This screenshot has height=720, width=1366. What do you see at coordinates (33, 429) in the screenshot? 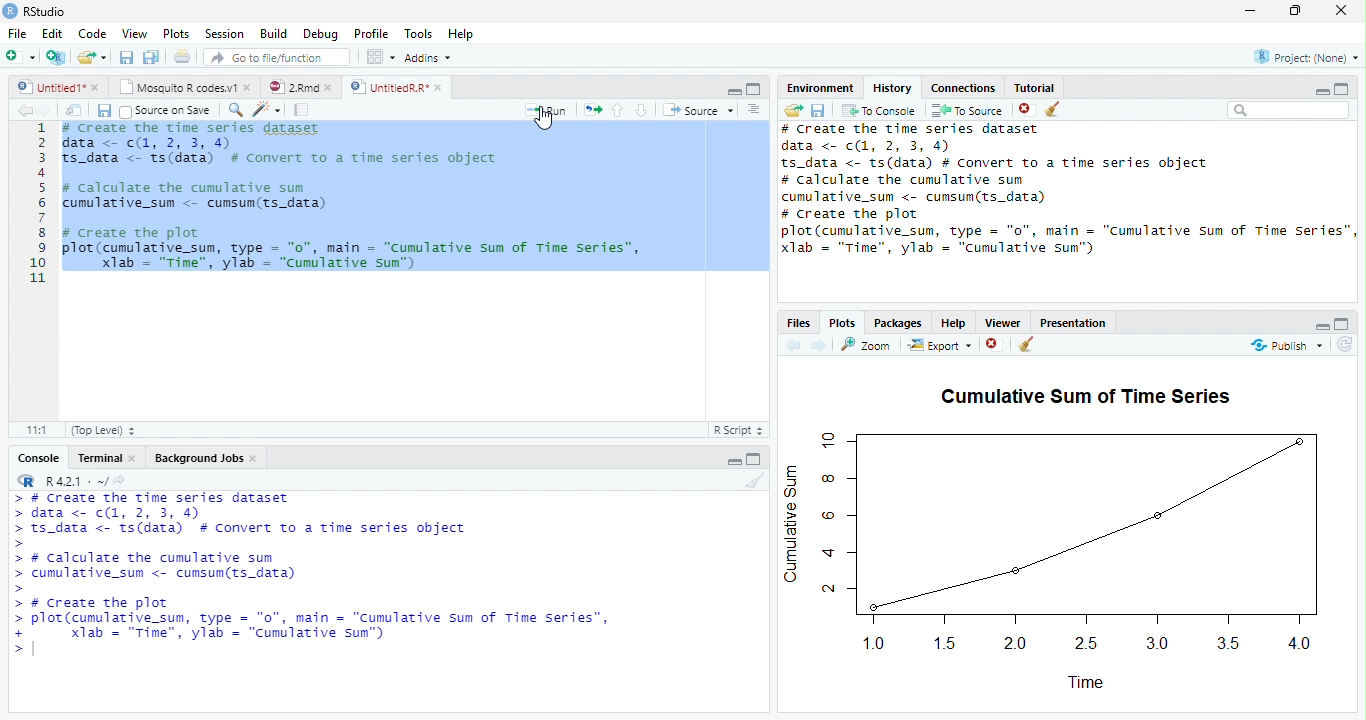
I see `1:1` at bounding box center [33, 429].